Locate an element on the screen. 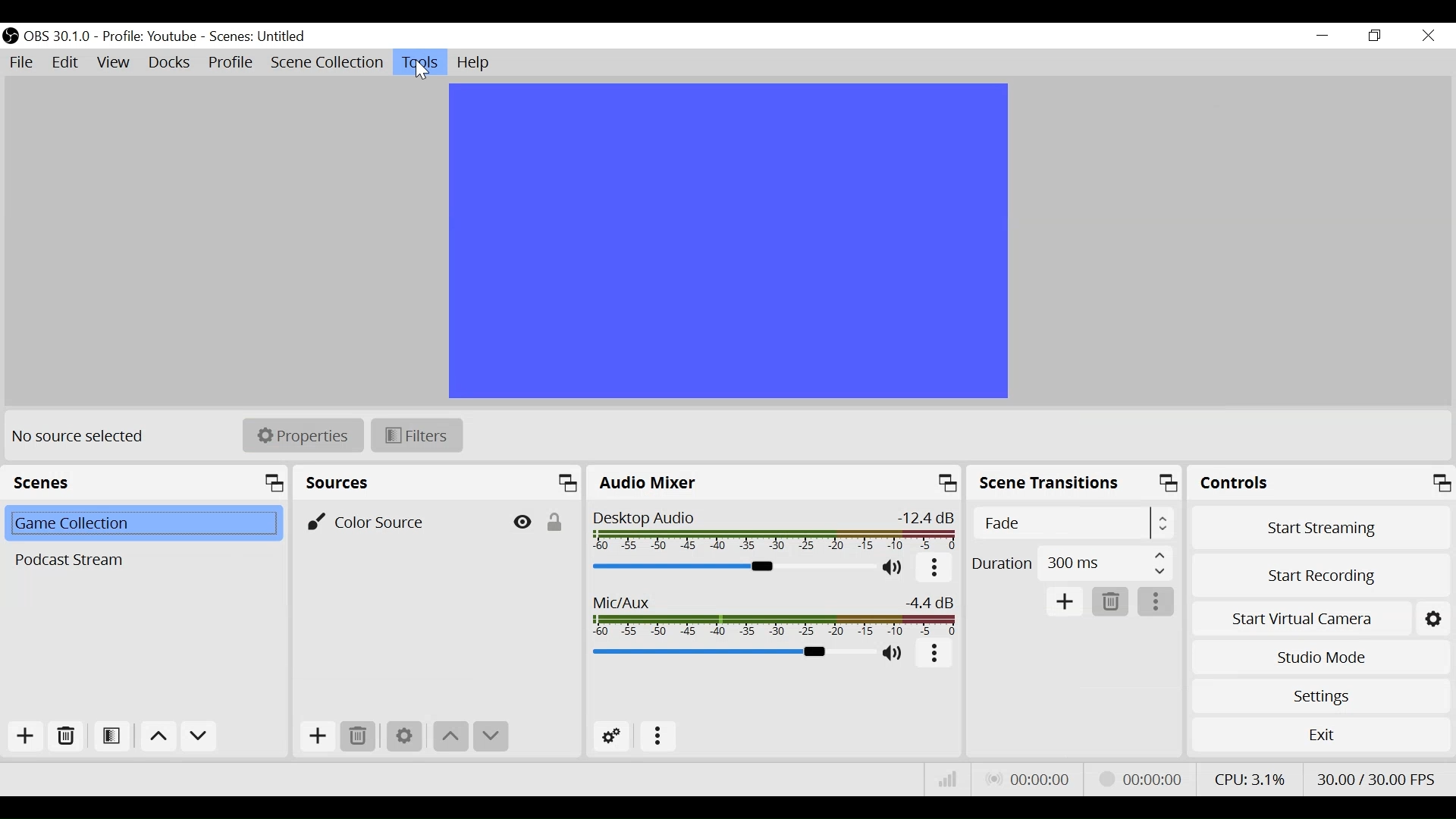 This screenshot has height=819, width=1456. Select Scene Transition is located at coordinates (1072, 523).